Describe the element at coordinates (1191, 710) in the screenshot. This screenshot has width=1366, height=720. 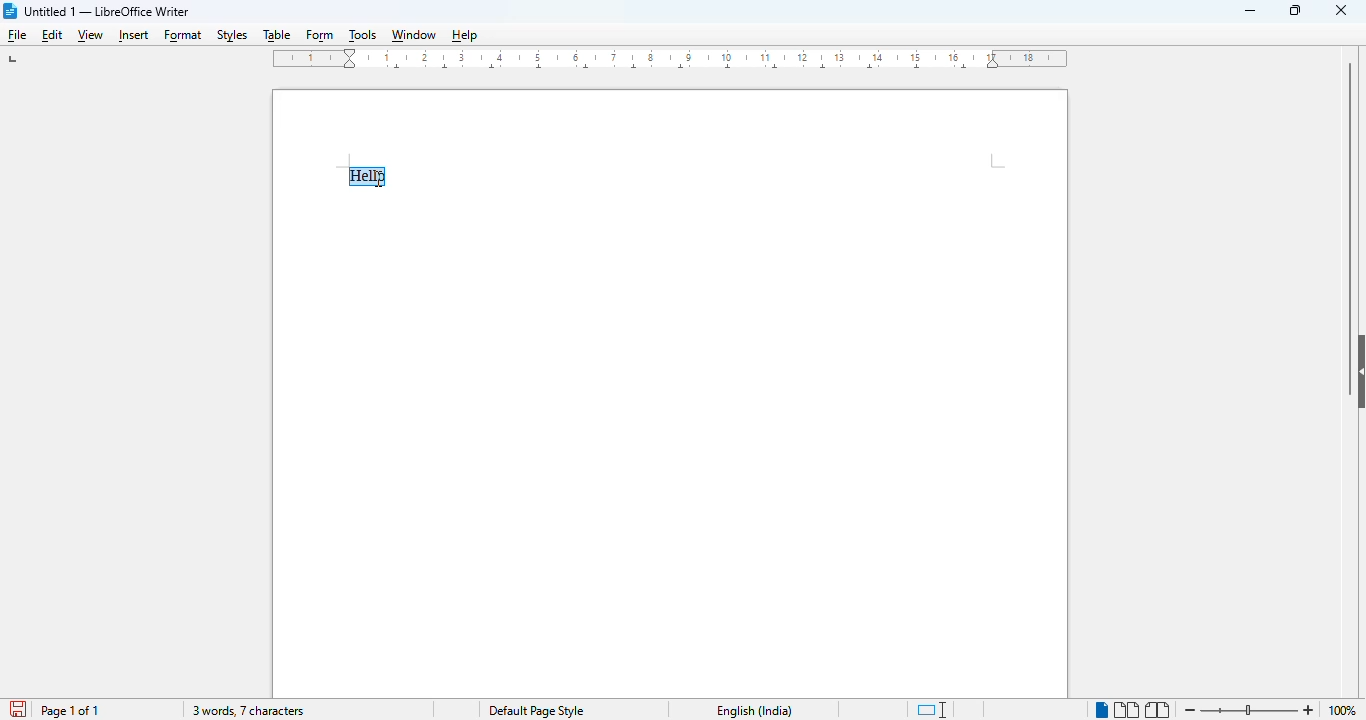
I see `zoom out` at that location.